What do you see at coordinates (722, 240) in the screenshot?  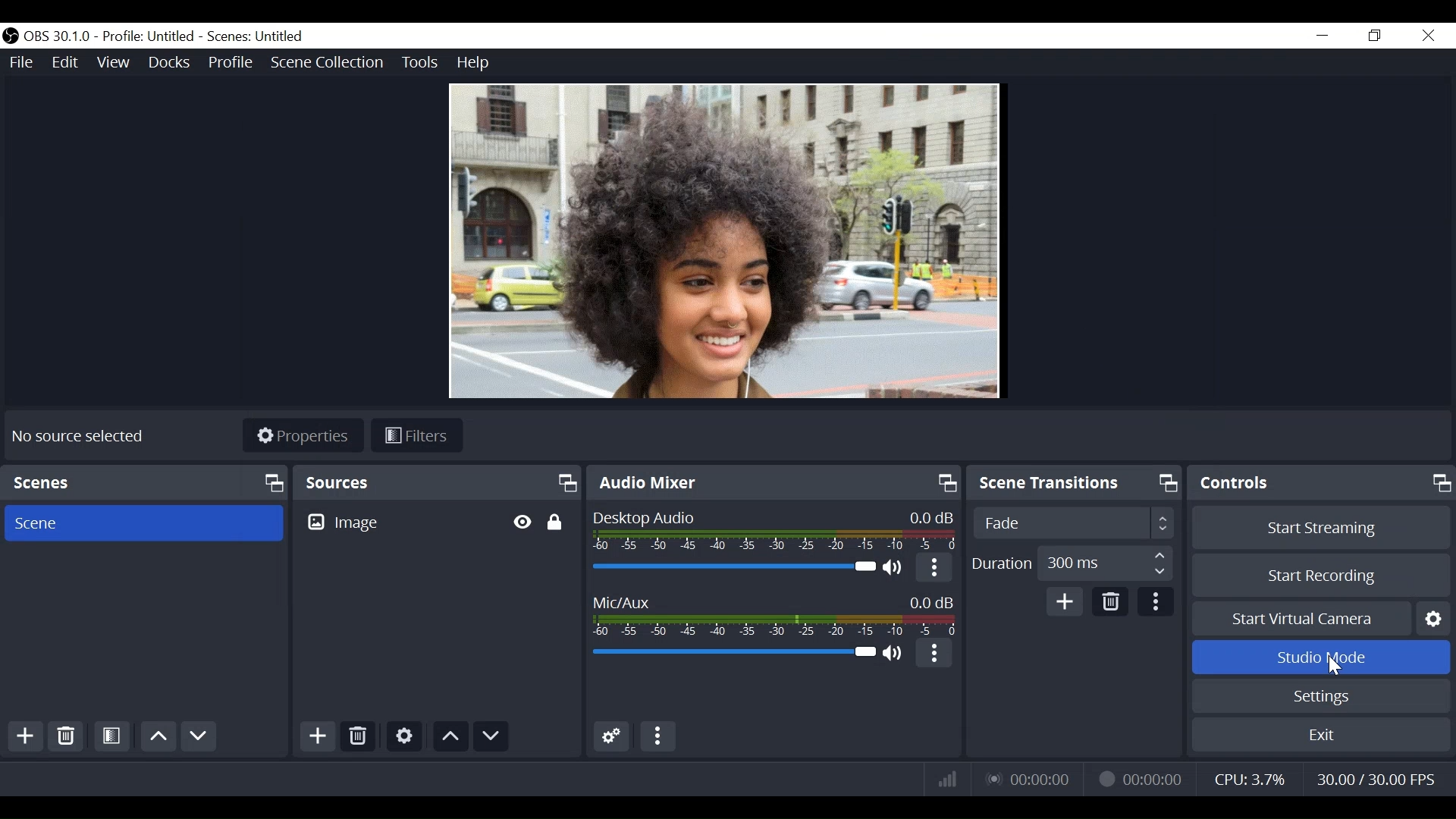 I see `Viewer` at bounding box center [722, 240].